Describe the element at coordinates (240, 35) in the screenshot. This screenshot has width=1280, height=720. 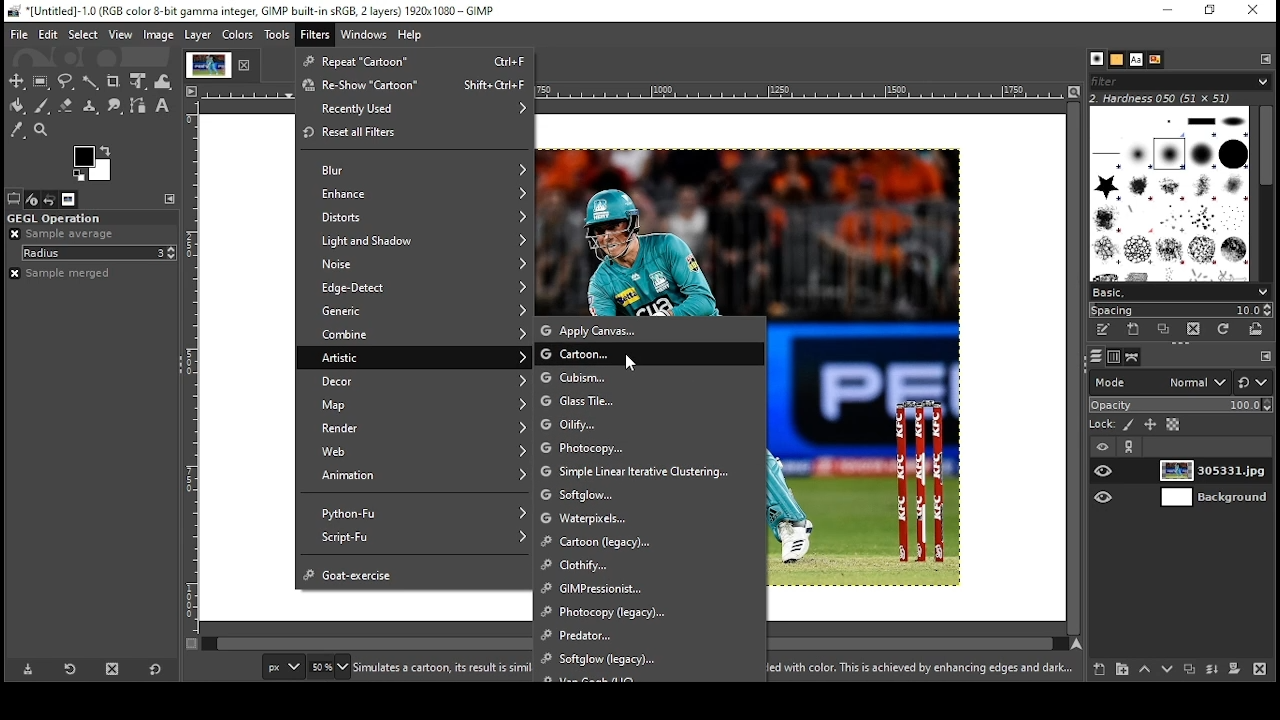
I see `colors` at that location.